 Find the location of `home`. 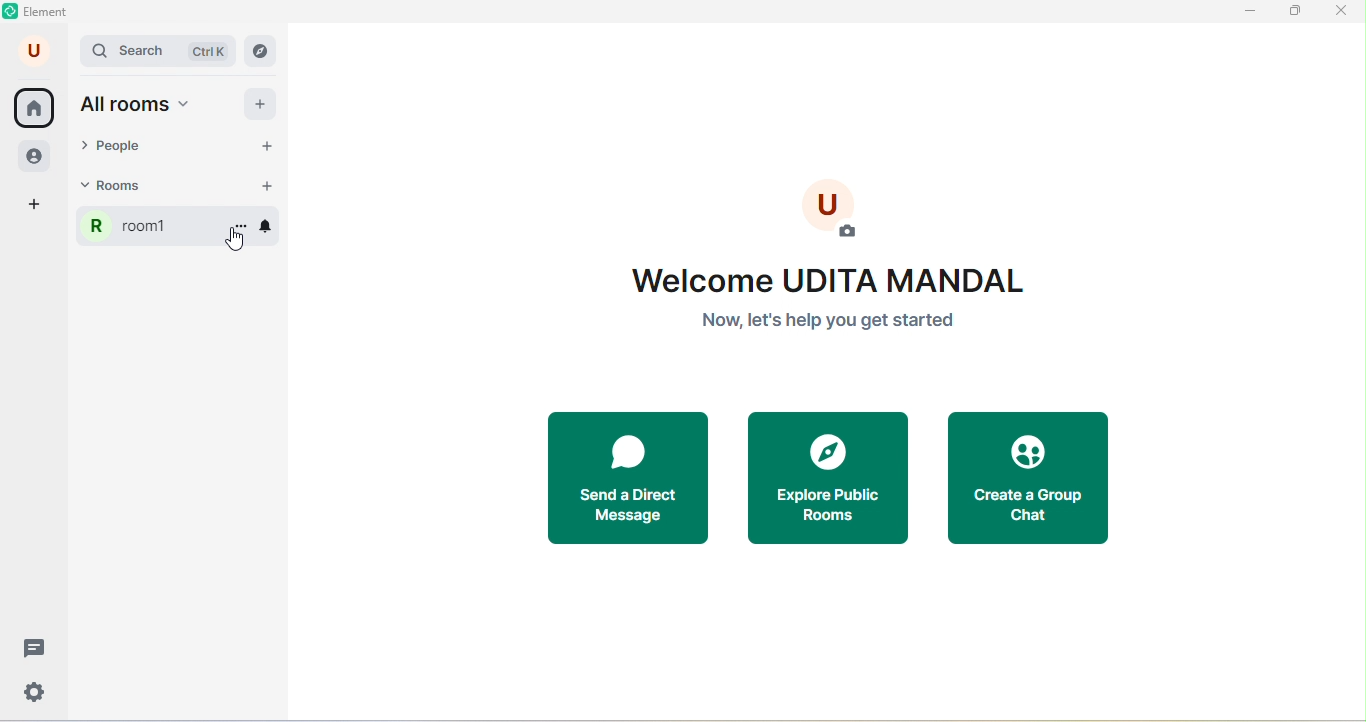

home is located at coordinates (34, 108).